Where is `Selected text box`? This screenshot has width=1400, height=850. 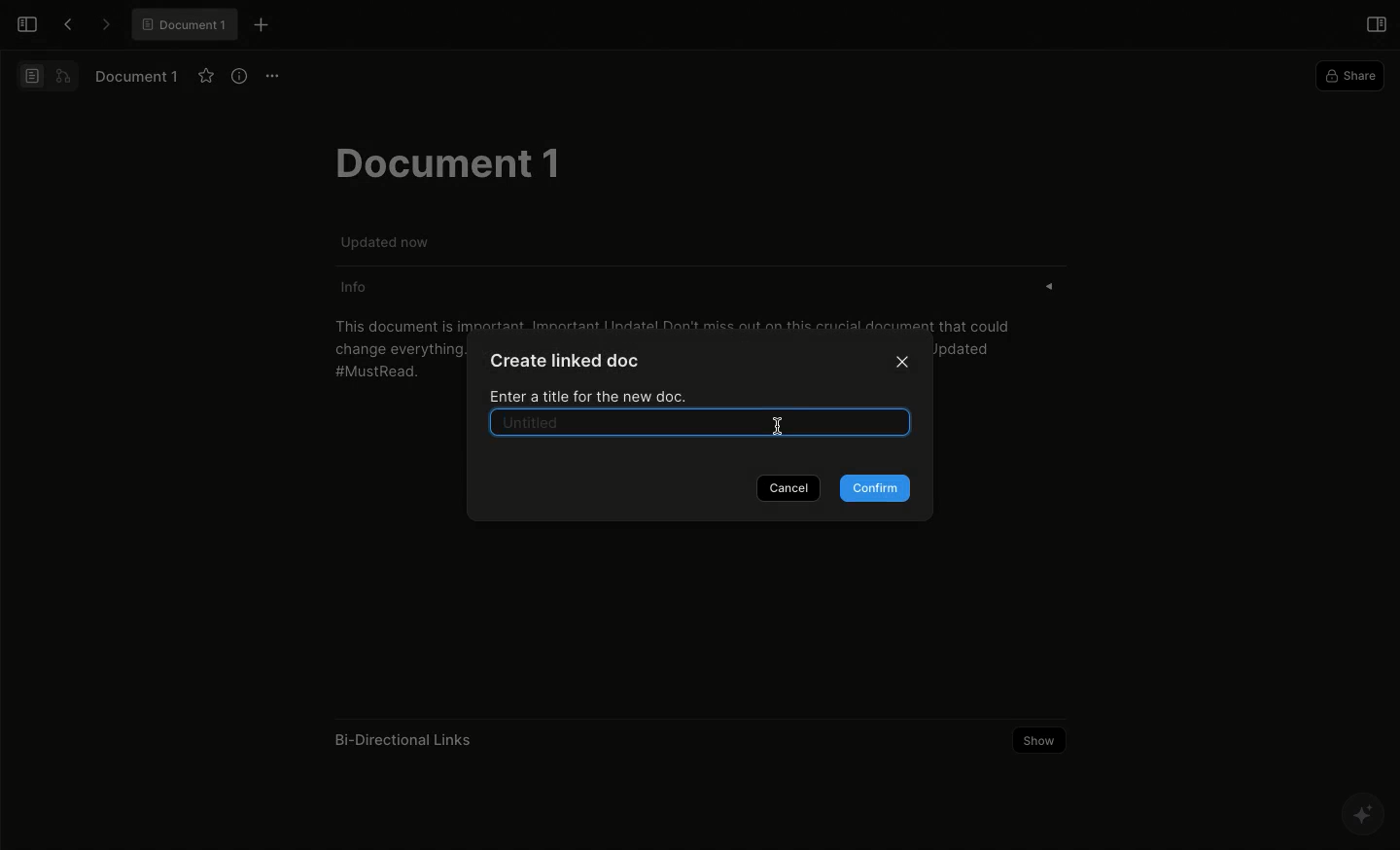
Selected text box is located at coordinates (700, 423).